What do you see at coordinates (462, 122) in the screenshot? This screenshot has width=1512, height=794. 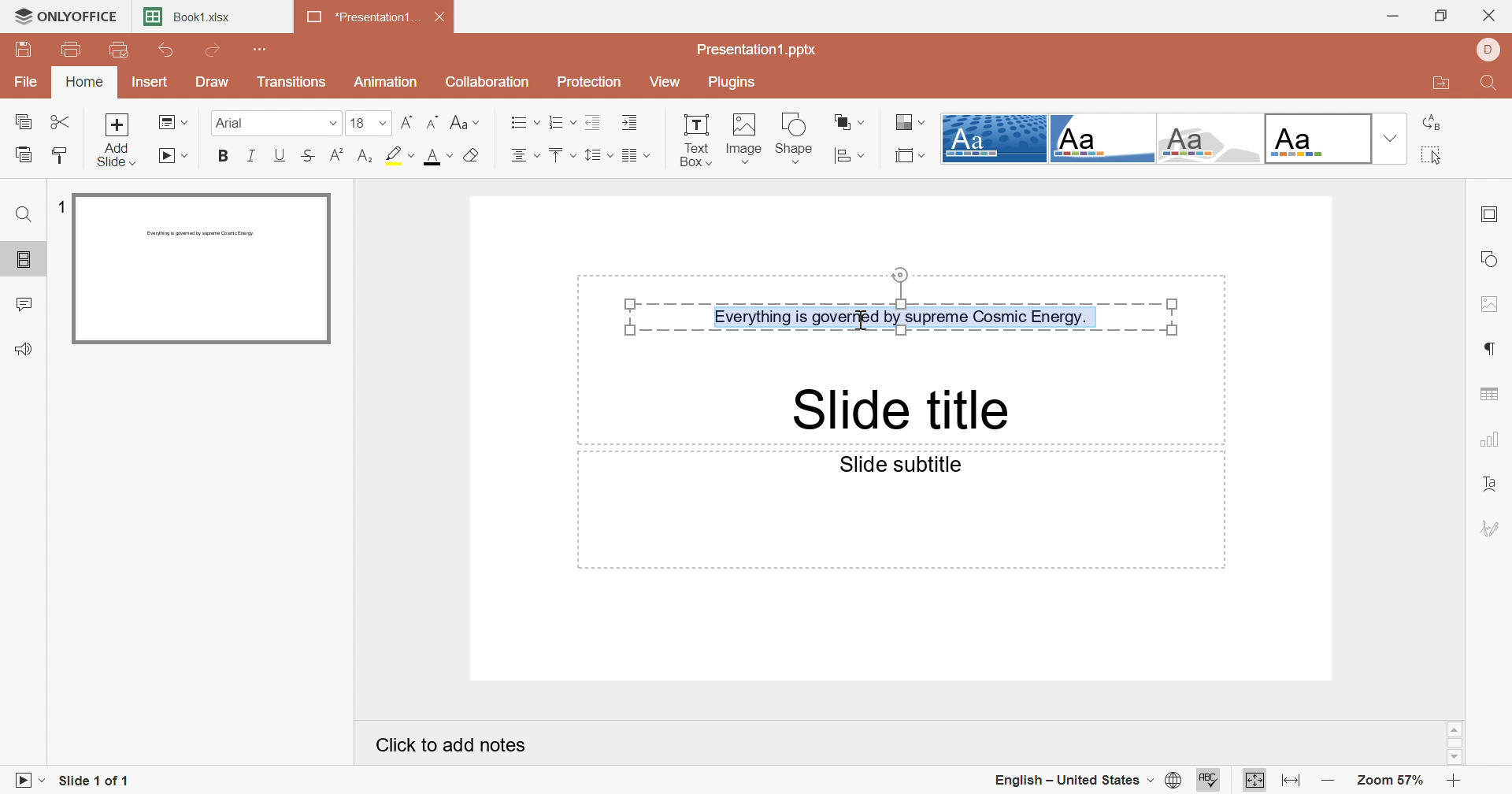 I see `Change case` at bounding box center [462, 122].